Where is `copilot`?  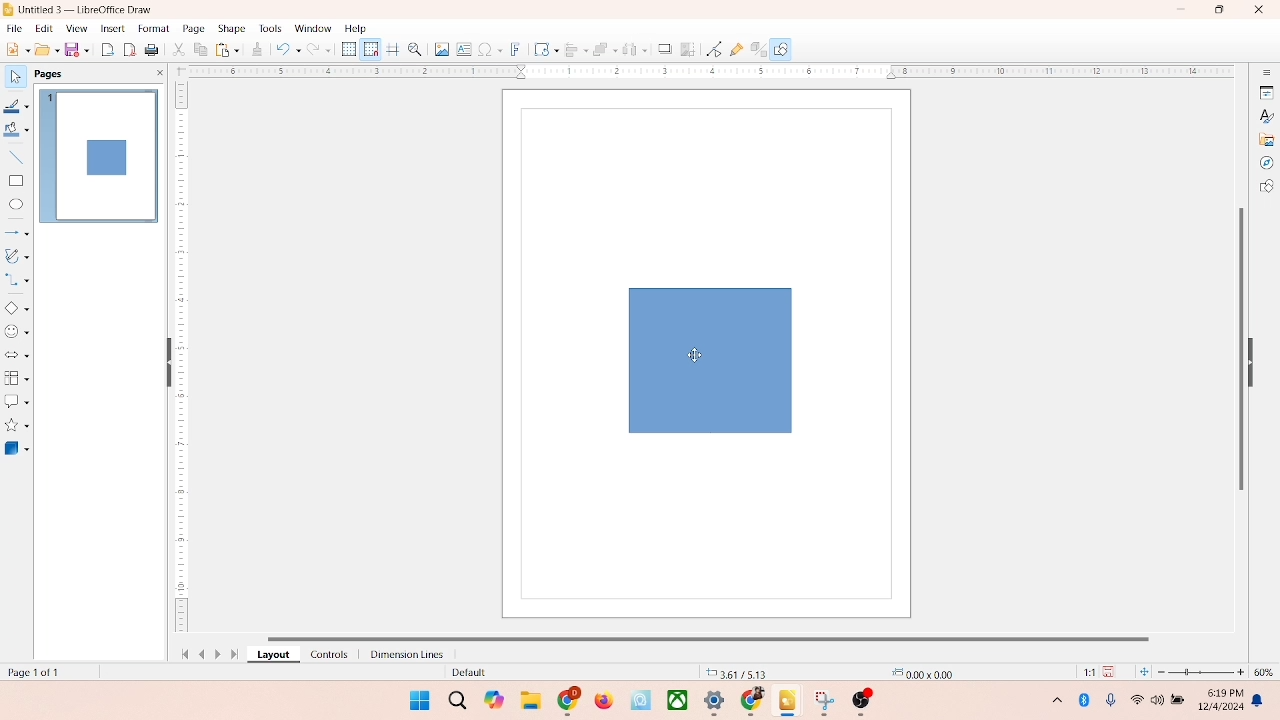 copilot is located at coordinates (496, 700).